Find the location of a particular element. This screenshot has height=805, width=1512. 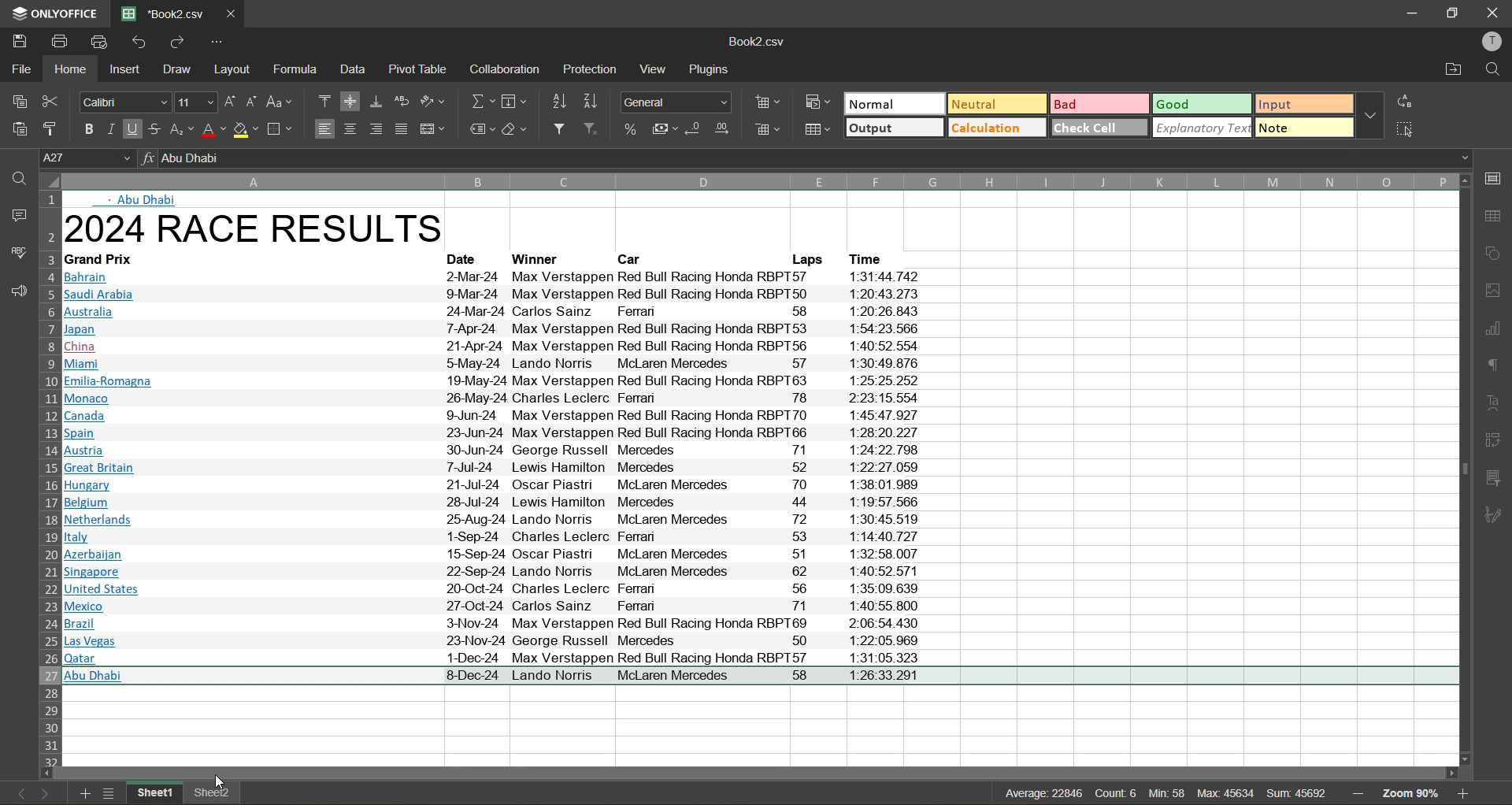

select all cells is located at coordinates (47, 182).